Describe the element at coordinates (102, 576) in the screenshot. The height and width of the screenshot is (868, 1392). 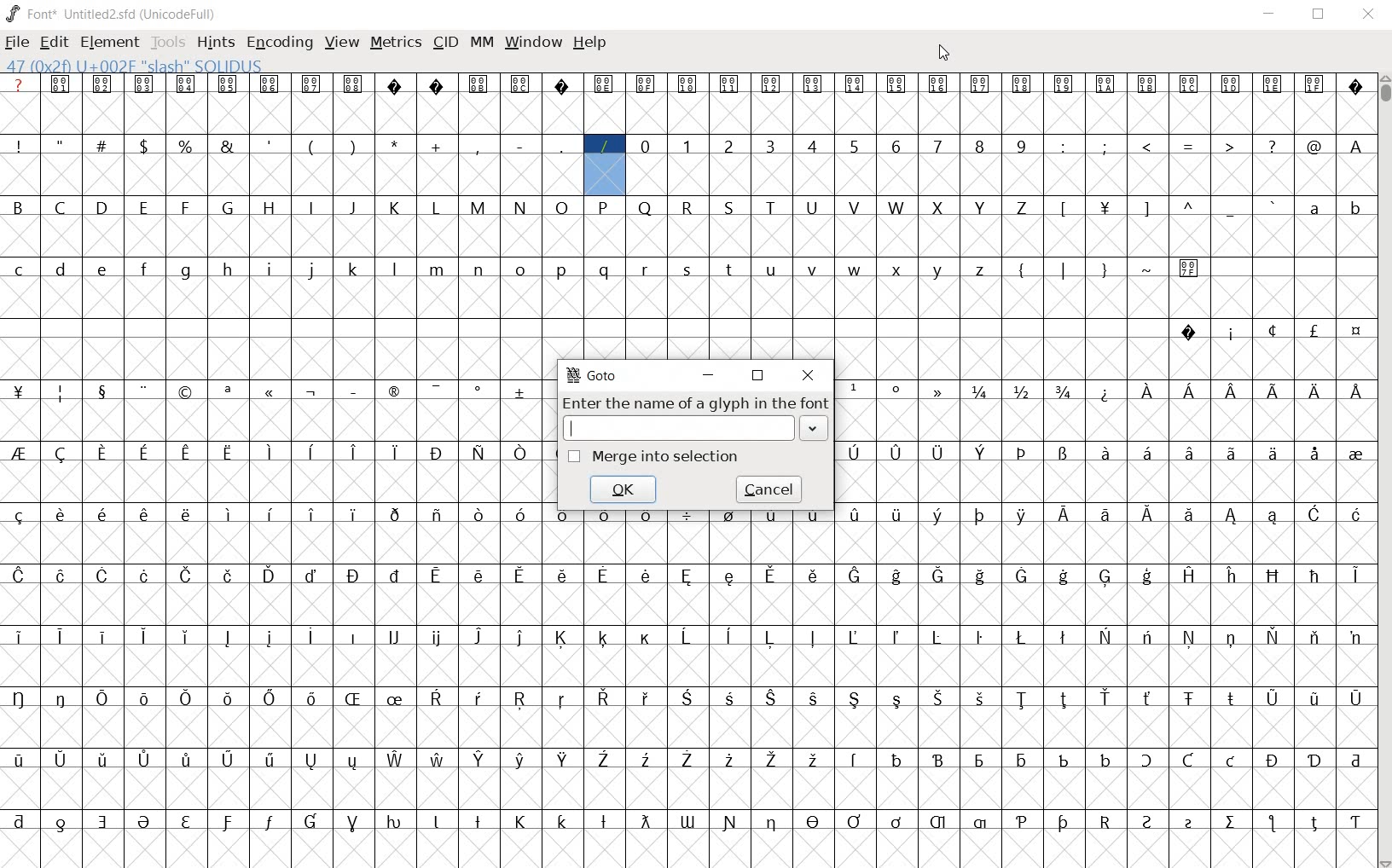
I see `glyph` at that location.